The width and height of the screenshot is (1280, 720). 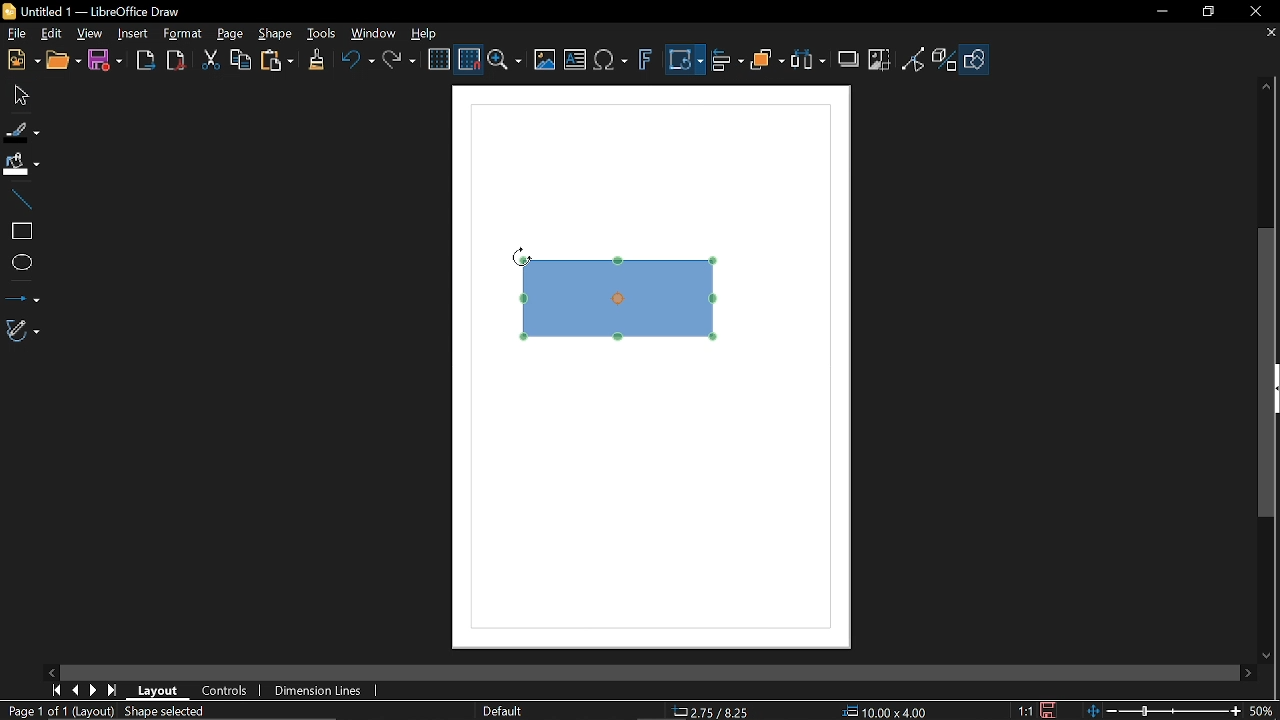 What do you see at coordinates (1270, 656) in the screenshot?
I see `Move down` at bounding box center [1270, 656].